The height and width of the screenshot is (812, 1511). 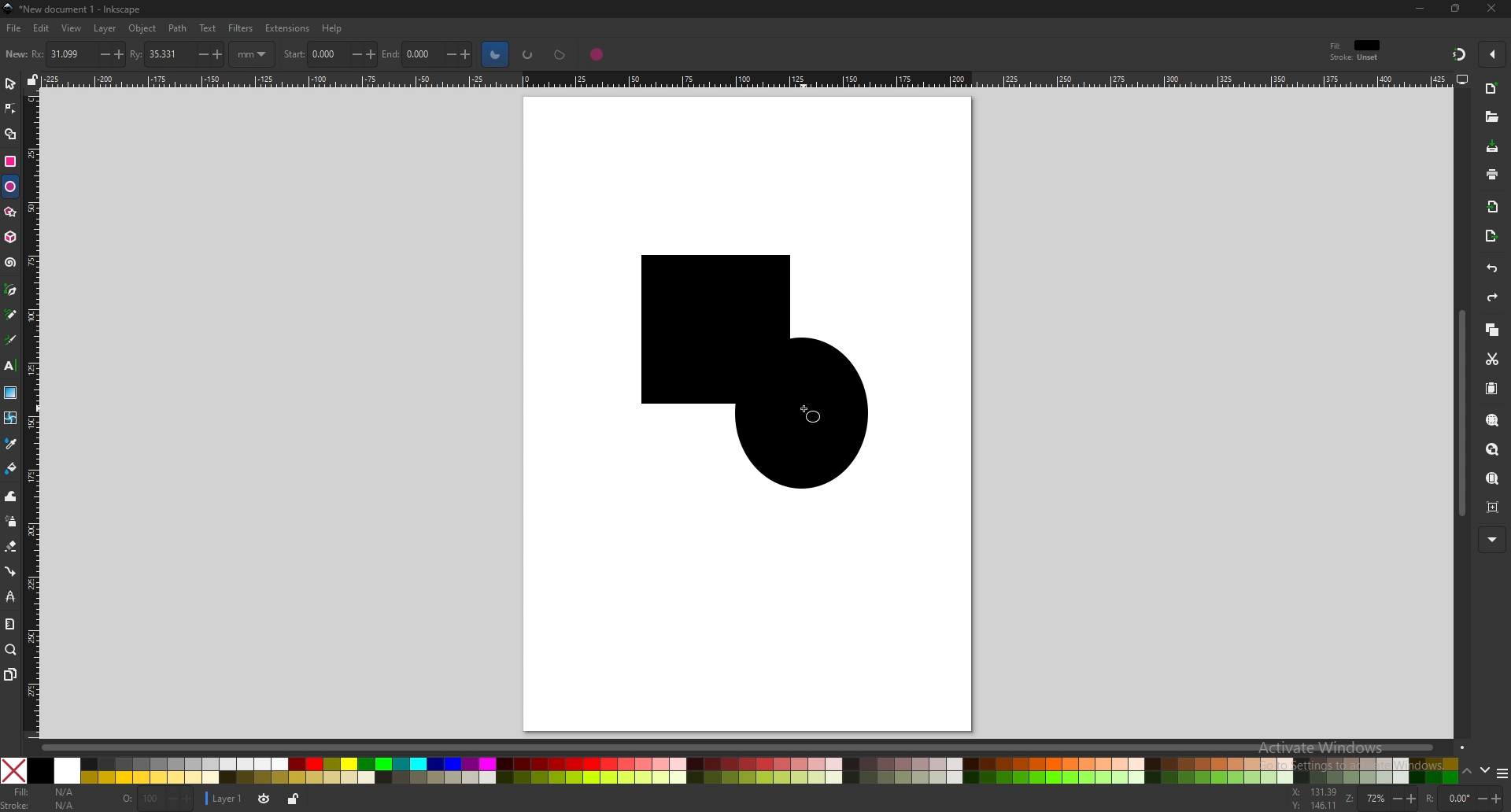 What do you see at coordinates (1459, 412) in the screenshot?
I see `scroll bar` at bounding box center [1459, 412].